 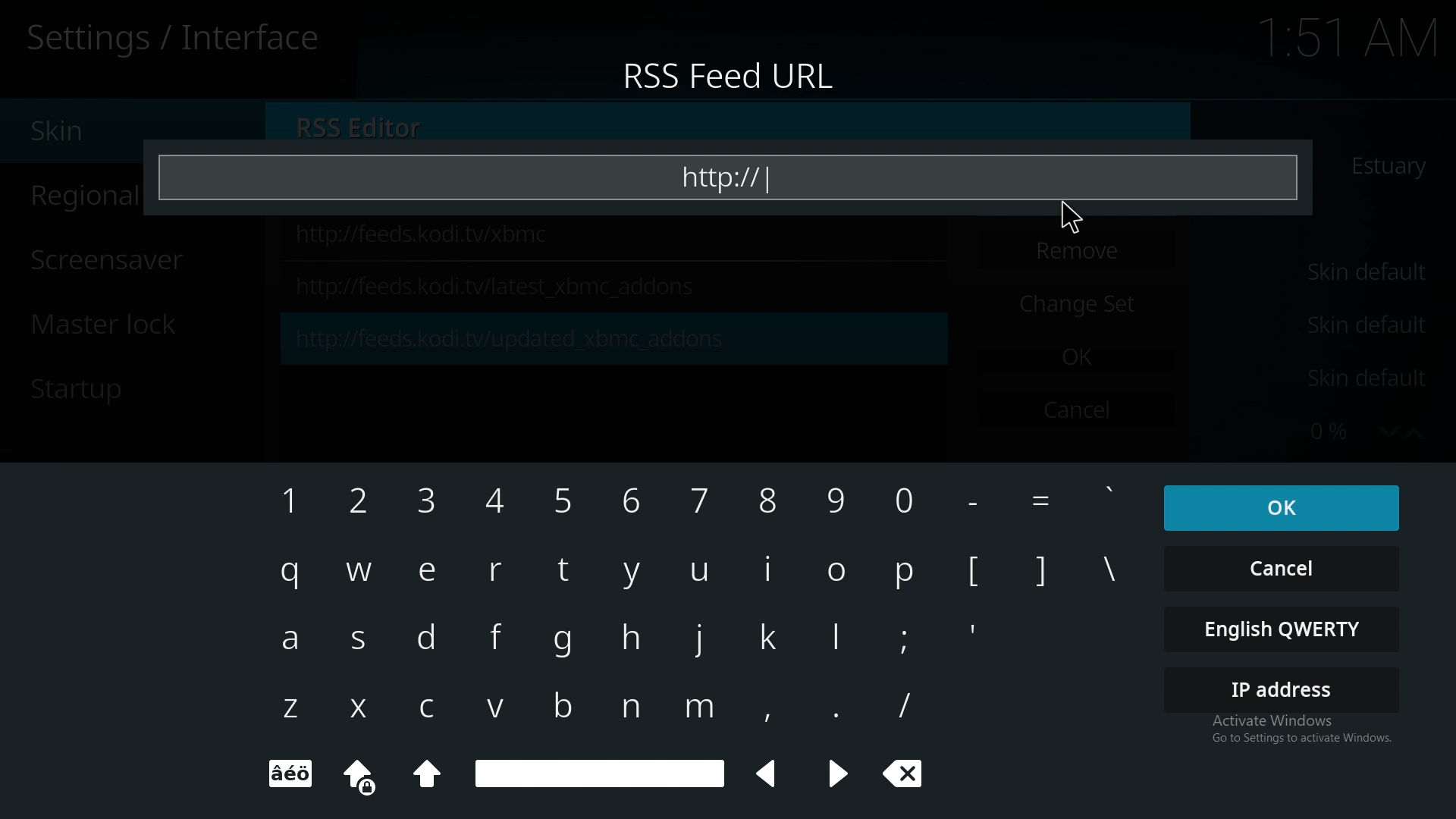 I want to click on keyboard Input, so click(x=632, y=704).